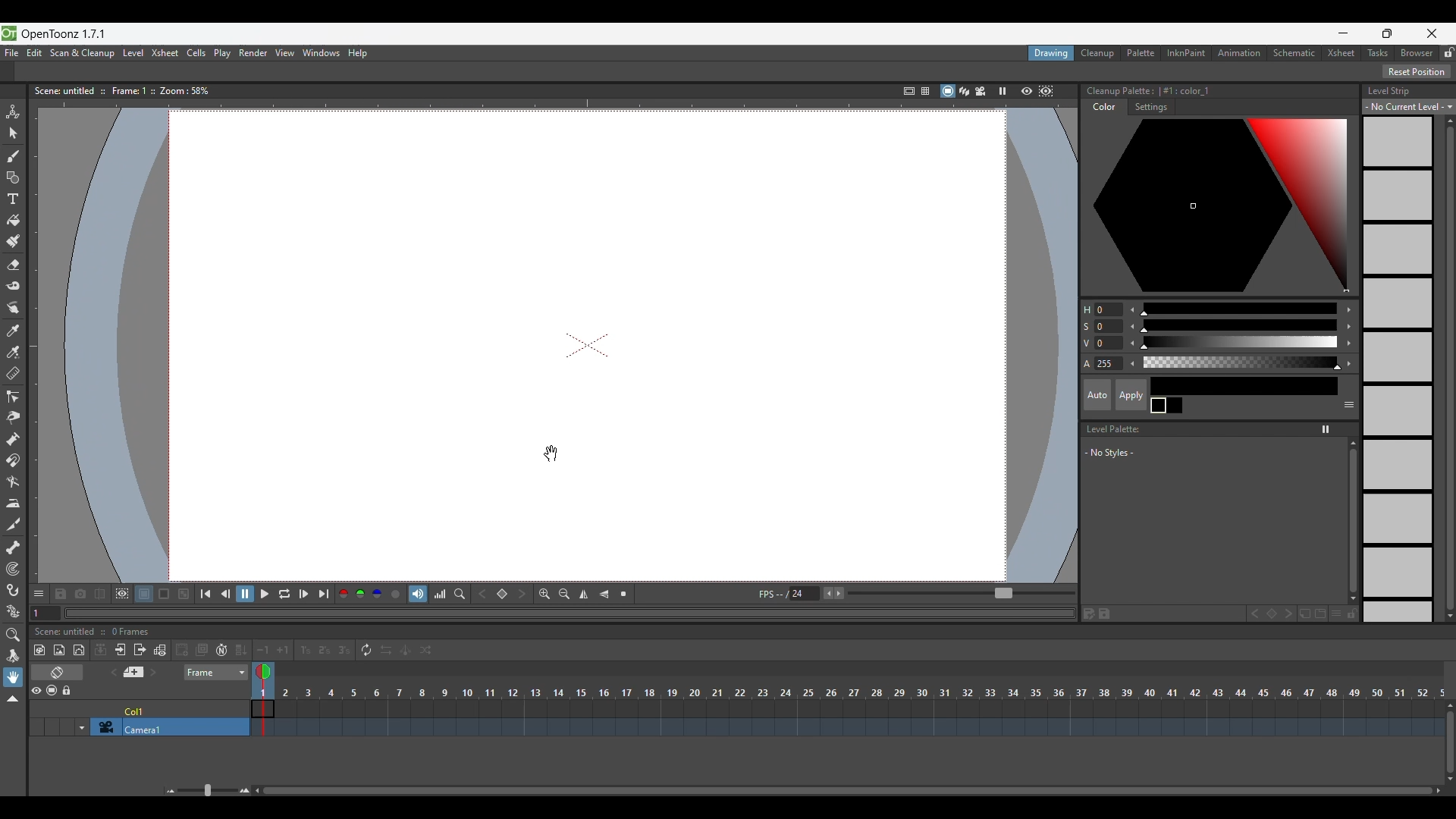 This screenshot has height=819, width=1456. What do you see at coordinates (1131, 395) in the screenshot?
I see `Apply` at bounding box center [1131, 395].